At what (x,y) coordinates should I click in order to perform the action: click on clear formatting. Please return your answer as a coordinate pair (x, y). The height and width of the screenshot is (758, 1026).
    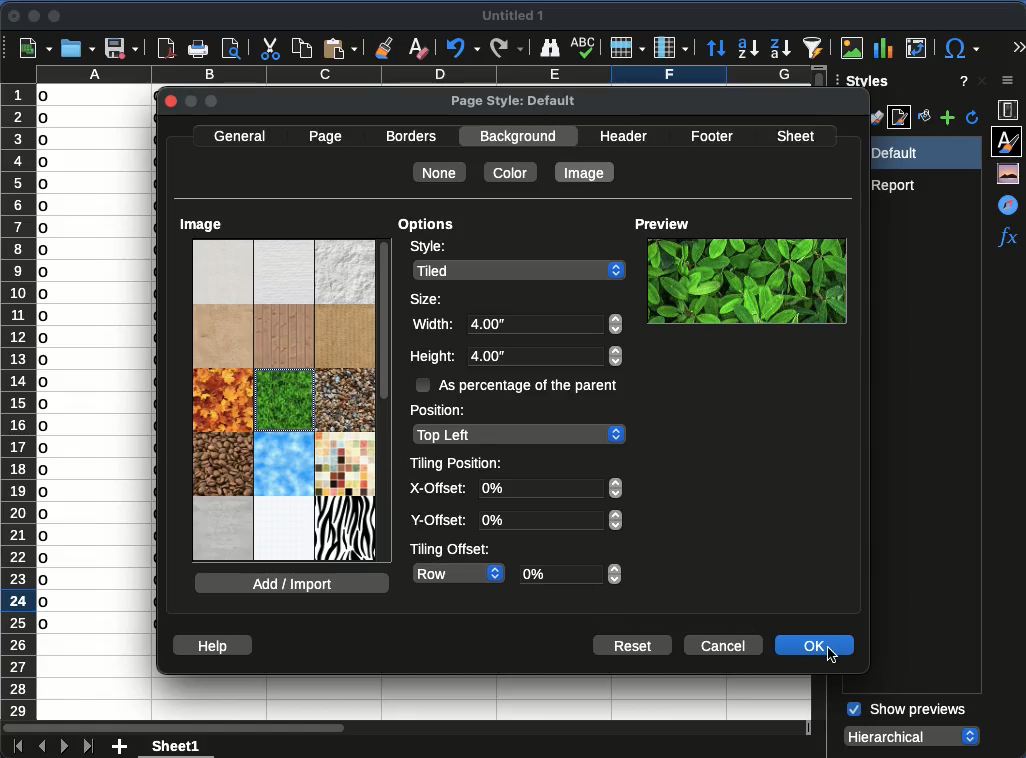
    Looking at the image, I should click on (420, 47).